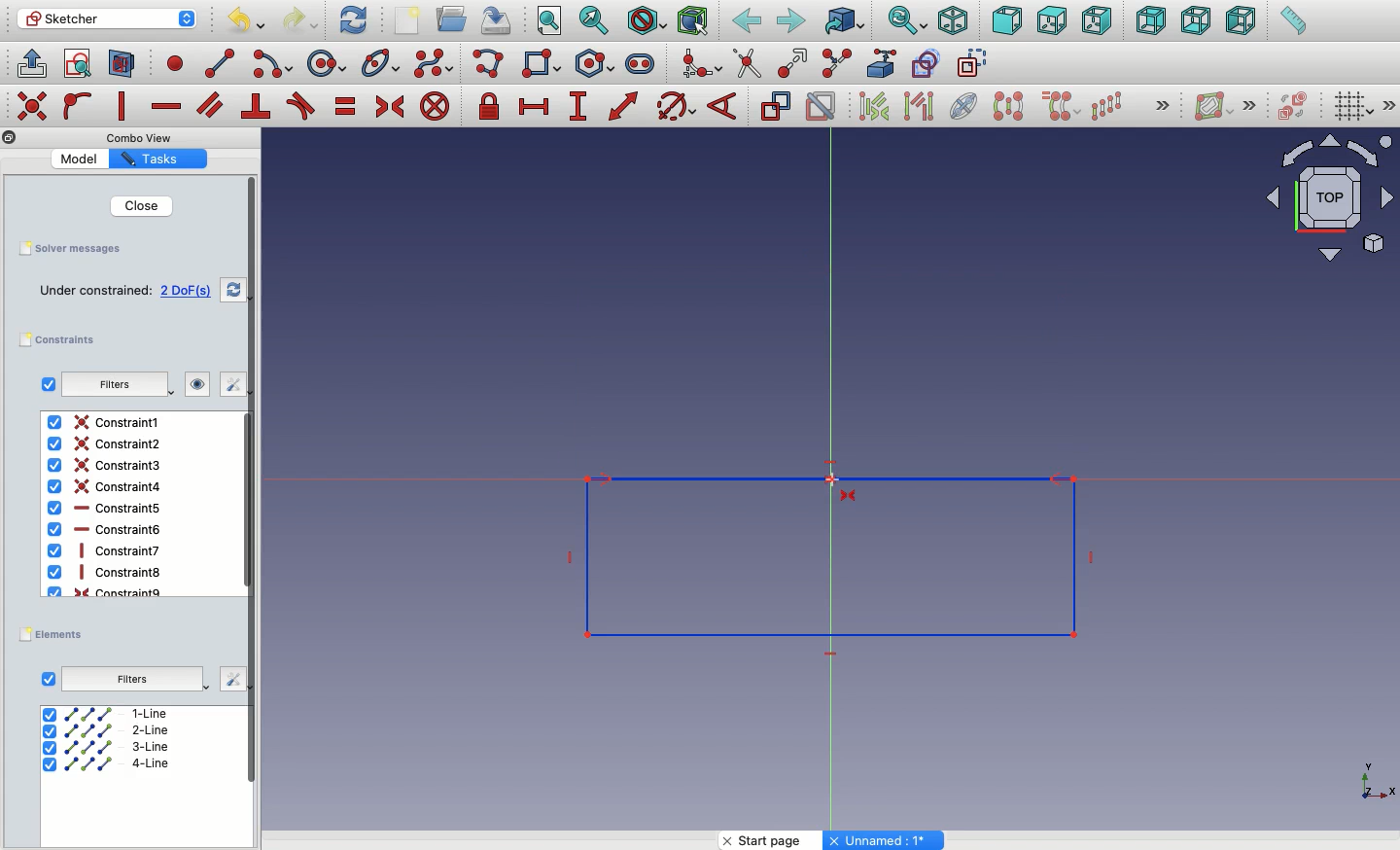  What do you see at coordinates (78, 105) in the screenshot?
I see `constrain point onto object` at bounding box center [78, 105].